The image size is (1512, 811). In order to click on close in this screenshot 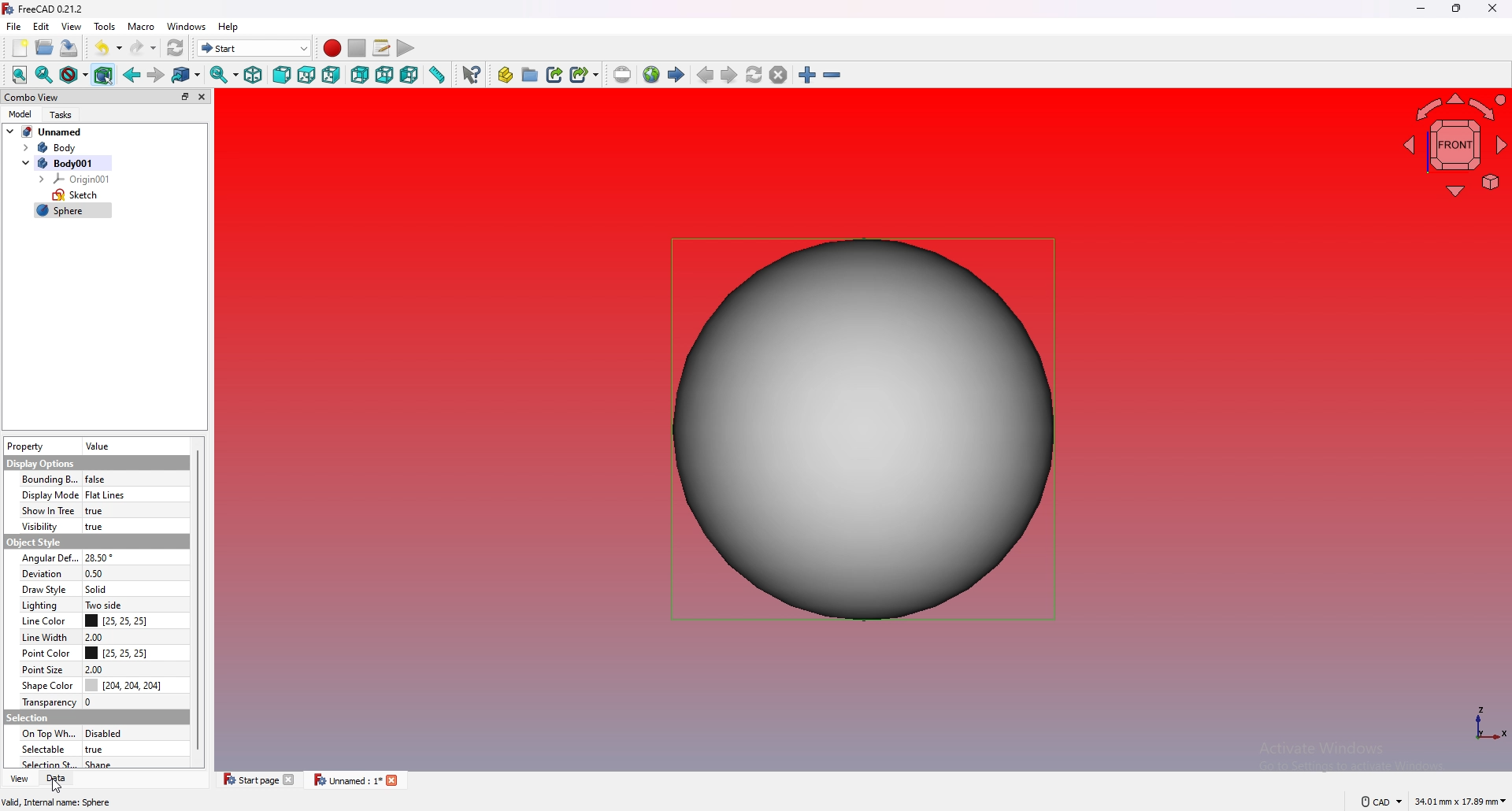, I will do `click(202, 97)`.